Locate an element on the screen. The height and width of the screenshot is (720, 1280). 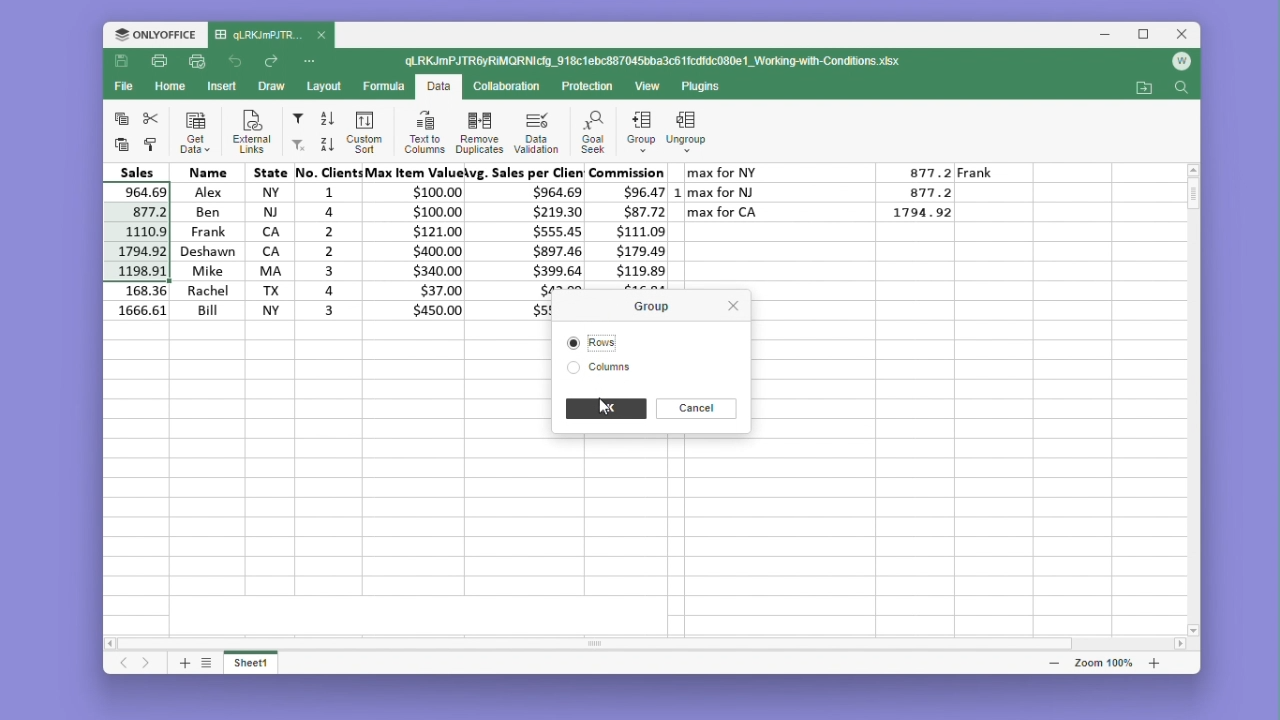
custom sort is located at coordinates (362, 132).